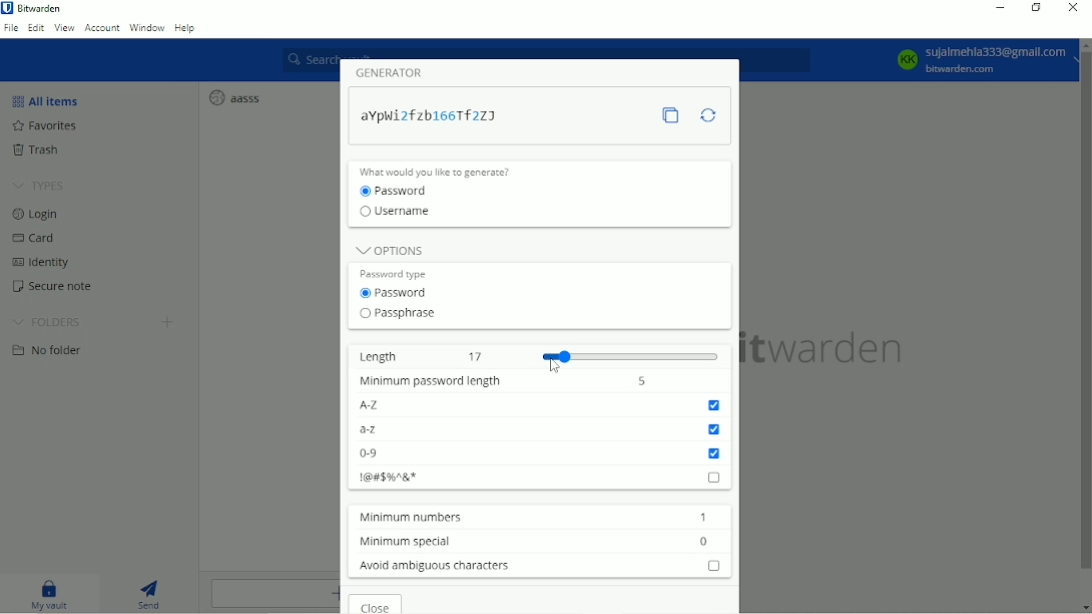 The height and width of the screenshot is (614, 1092). Describe the element at coordinates (64, 29) in the screenshot. I see `View` at that location.